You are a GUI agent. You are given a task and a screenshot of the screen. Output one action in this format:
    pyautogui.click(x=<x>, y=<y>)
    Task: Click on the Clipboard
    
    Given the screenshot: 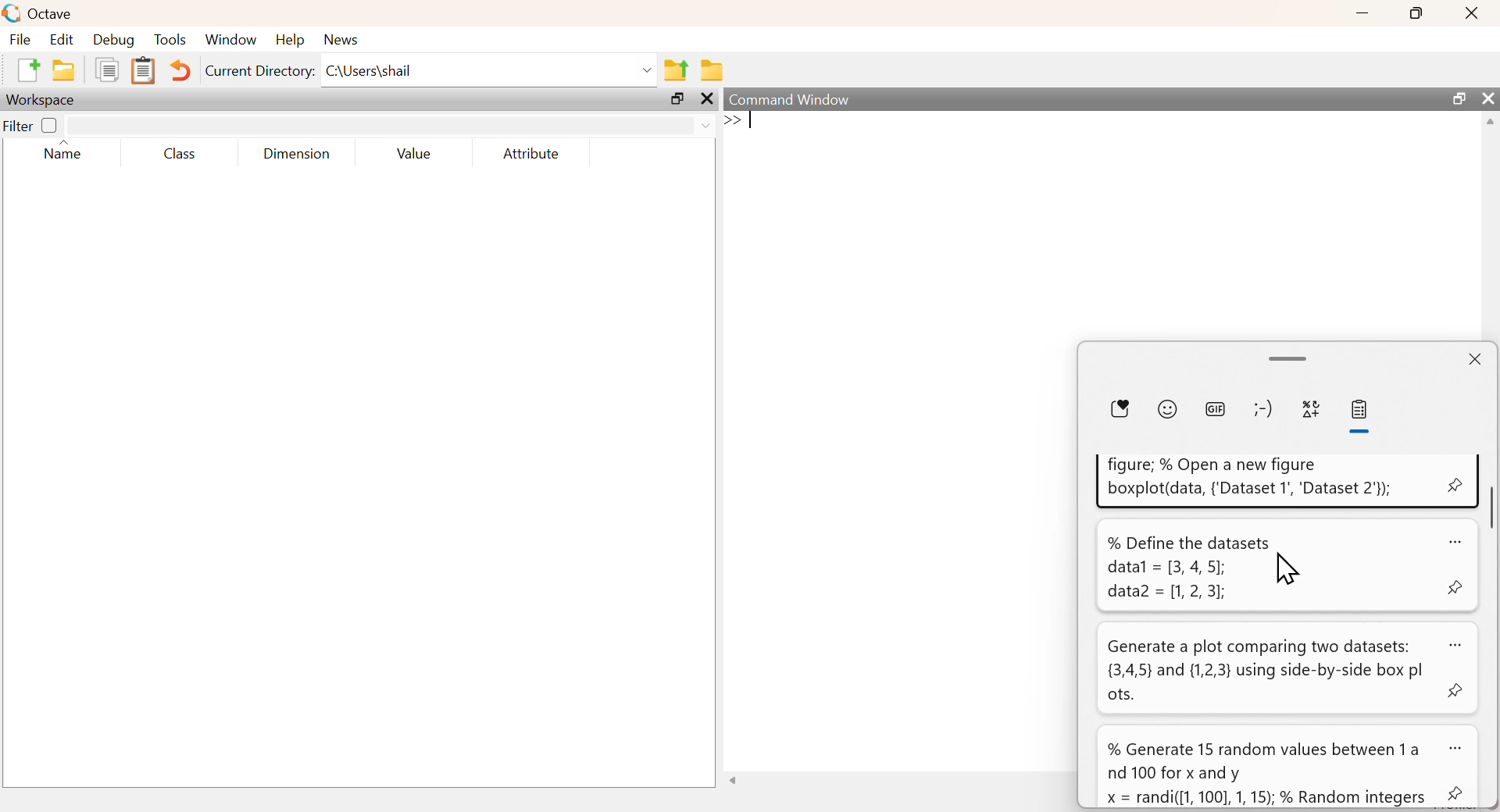 What is the action you would take?
    pyautogui.click(x=143, y=71)
    